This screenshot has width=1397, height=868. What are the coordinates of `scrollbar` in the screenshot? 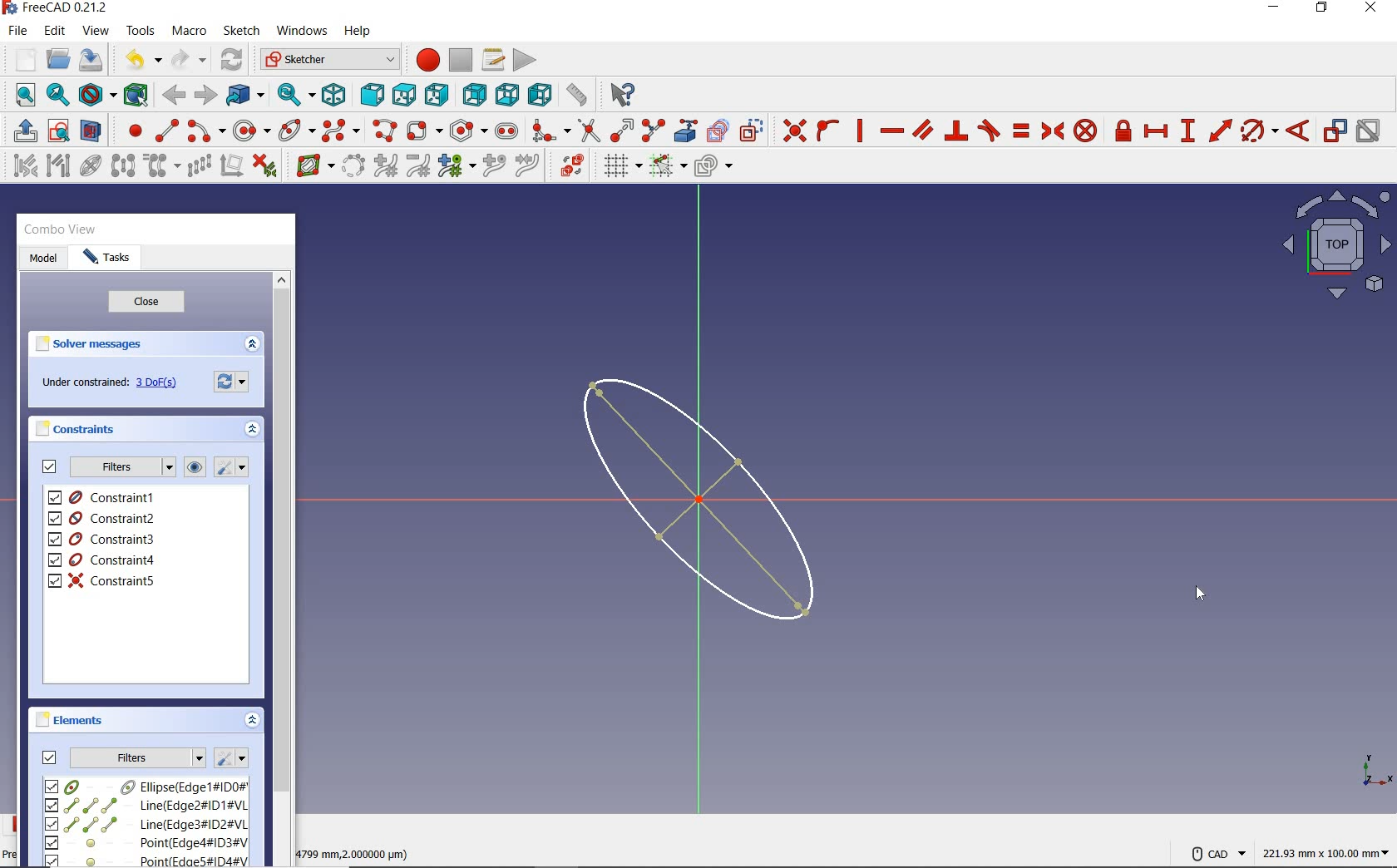 It's located at (281, 567).